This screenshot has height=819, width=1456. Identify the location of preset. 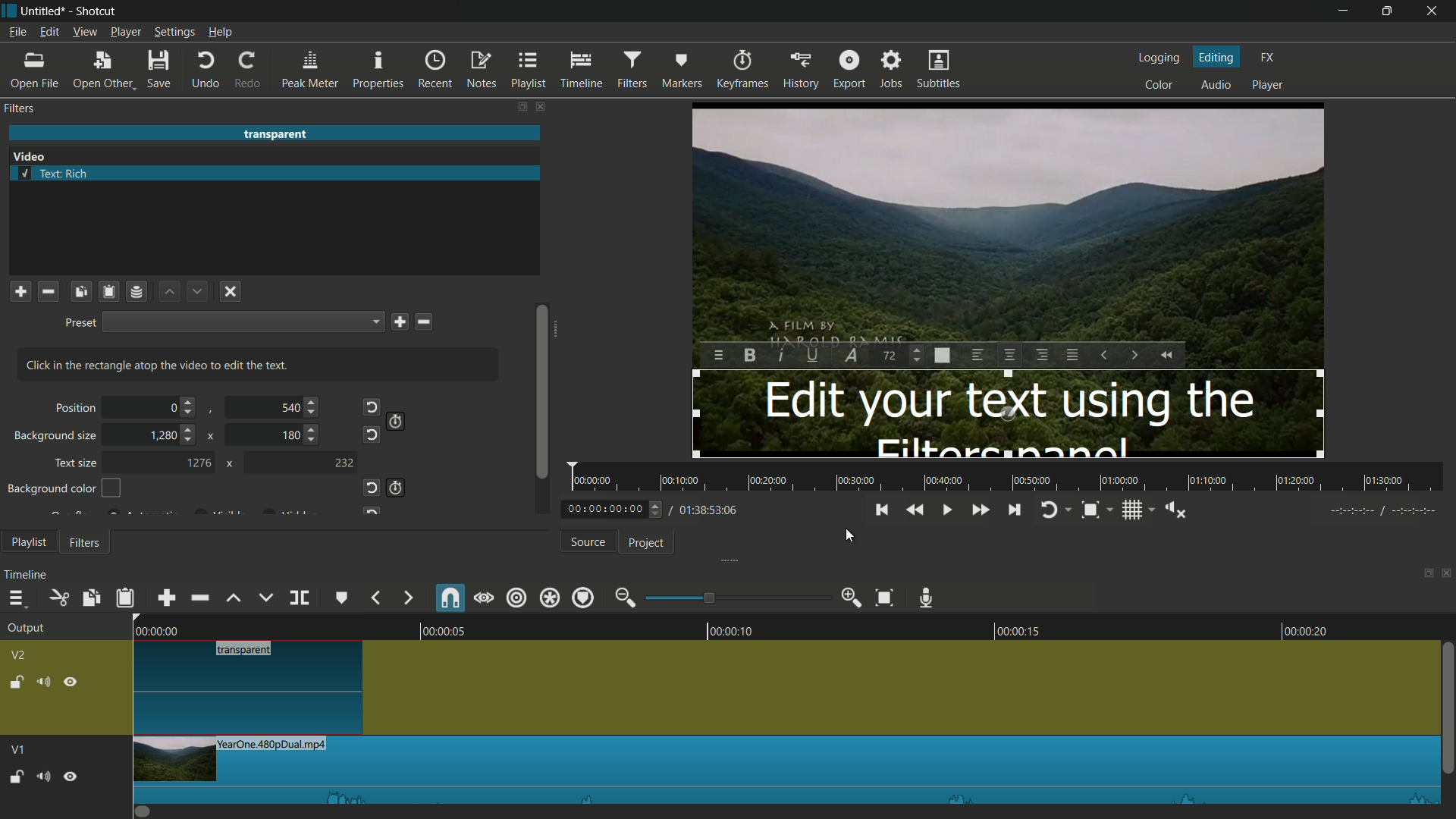
(77, 324).